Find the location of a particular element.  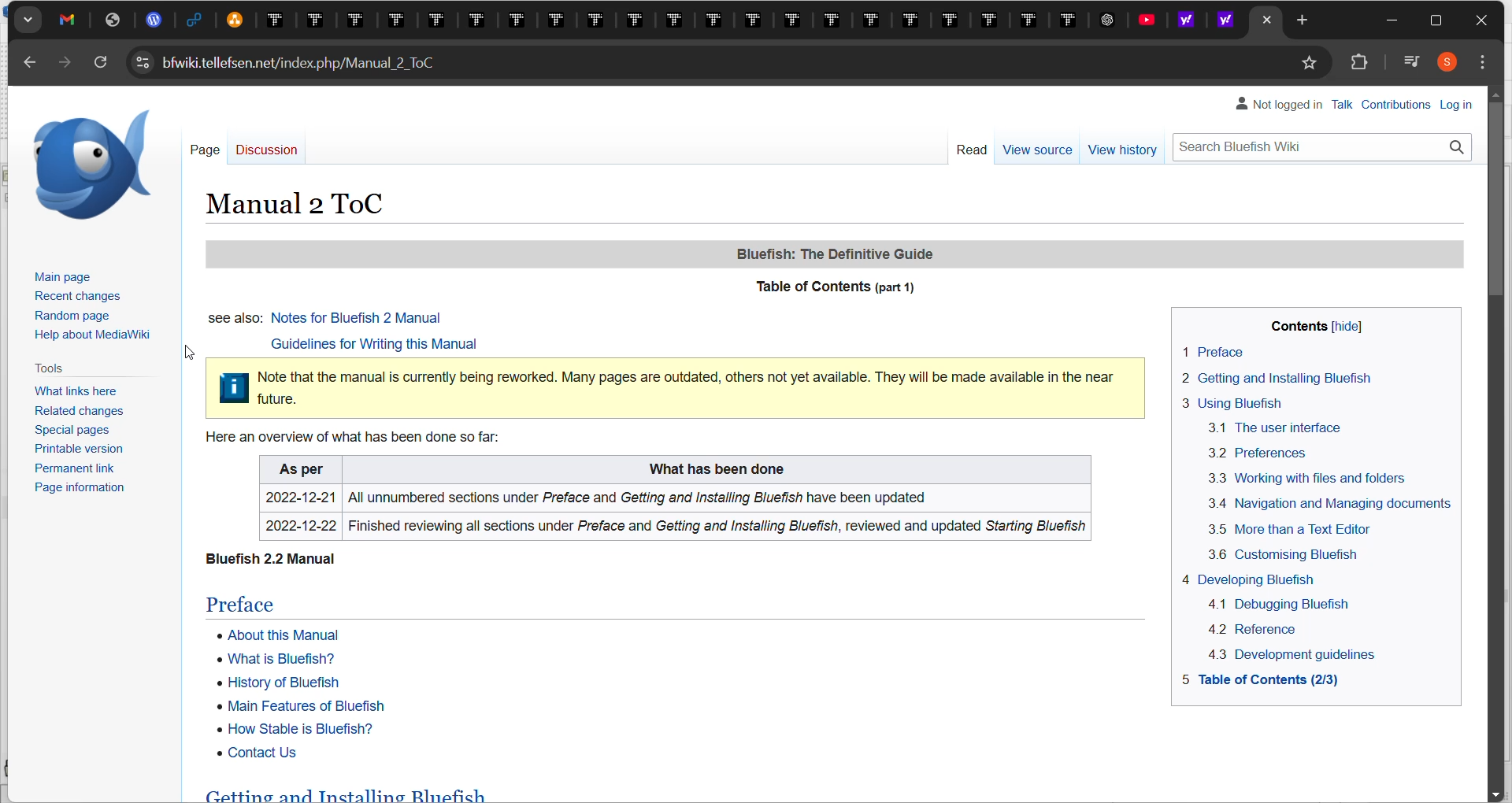

recent changes is located at coordinates (80, 297).